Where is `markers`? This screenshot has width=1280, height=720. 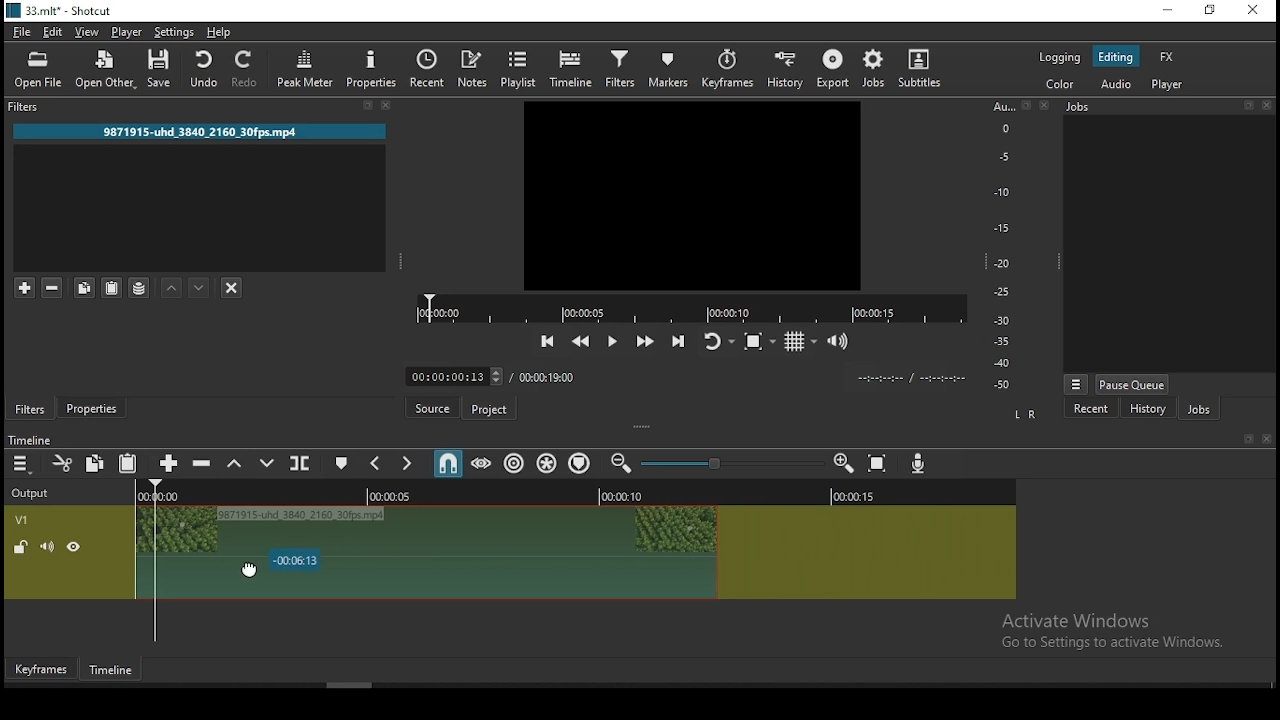
markers is located at coordinates (670, 68).